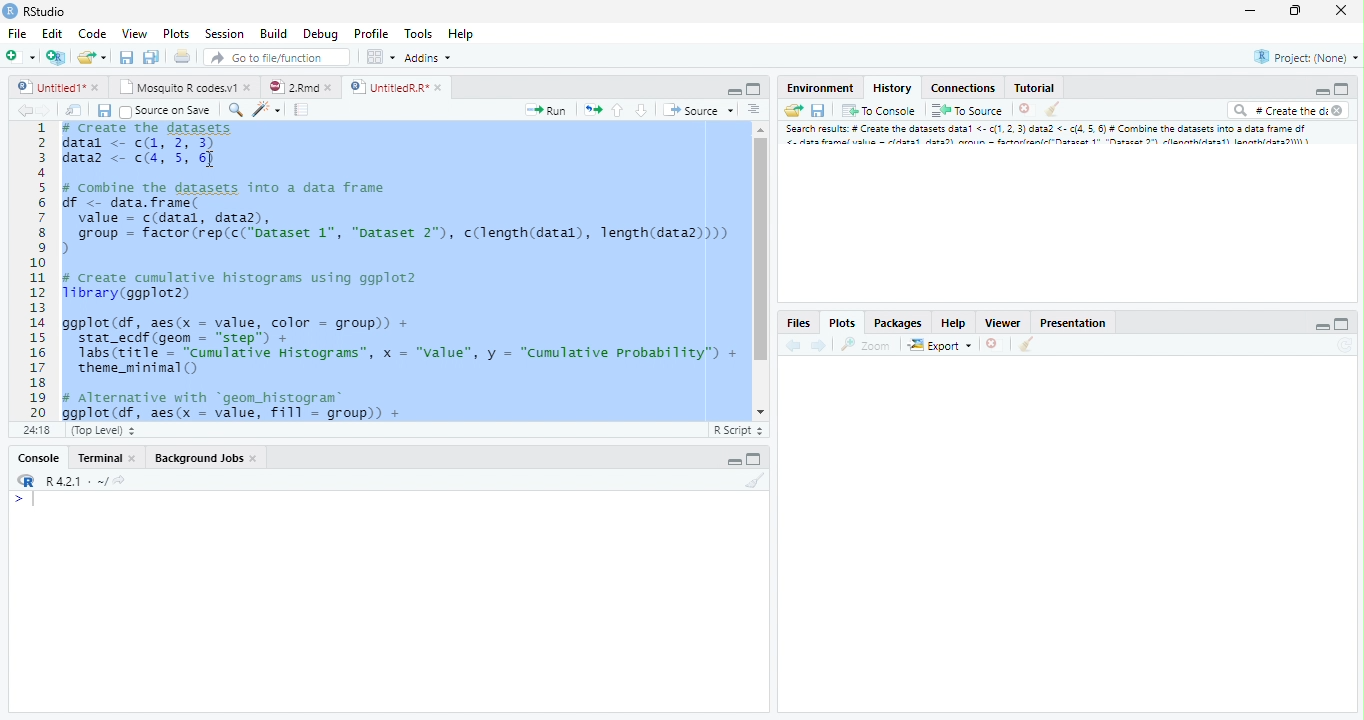 The image size is (1364, 720). I want to click on Scrollbar, so click(759, 268).